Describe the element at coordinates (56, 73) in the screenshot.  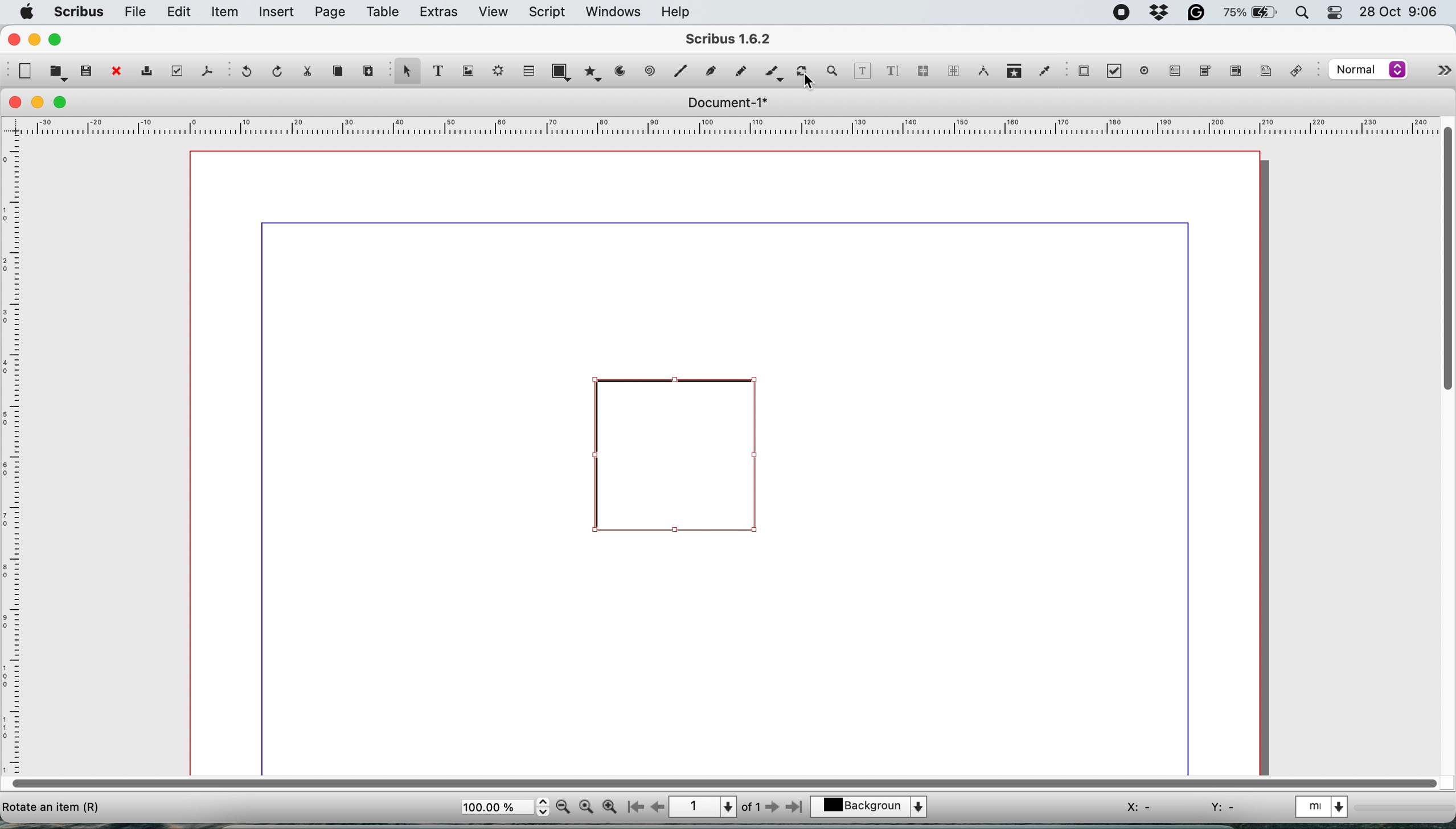
I see `open` at that location.